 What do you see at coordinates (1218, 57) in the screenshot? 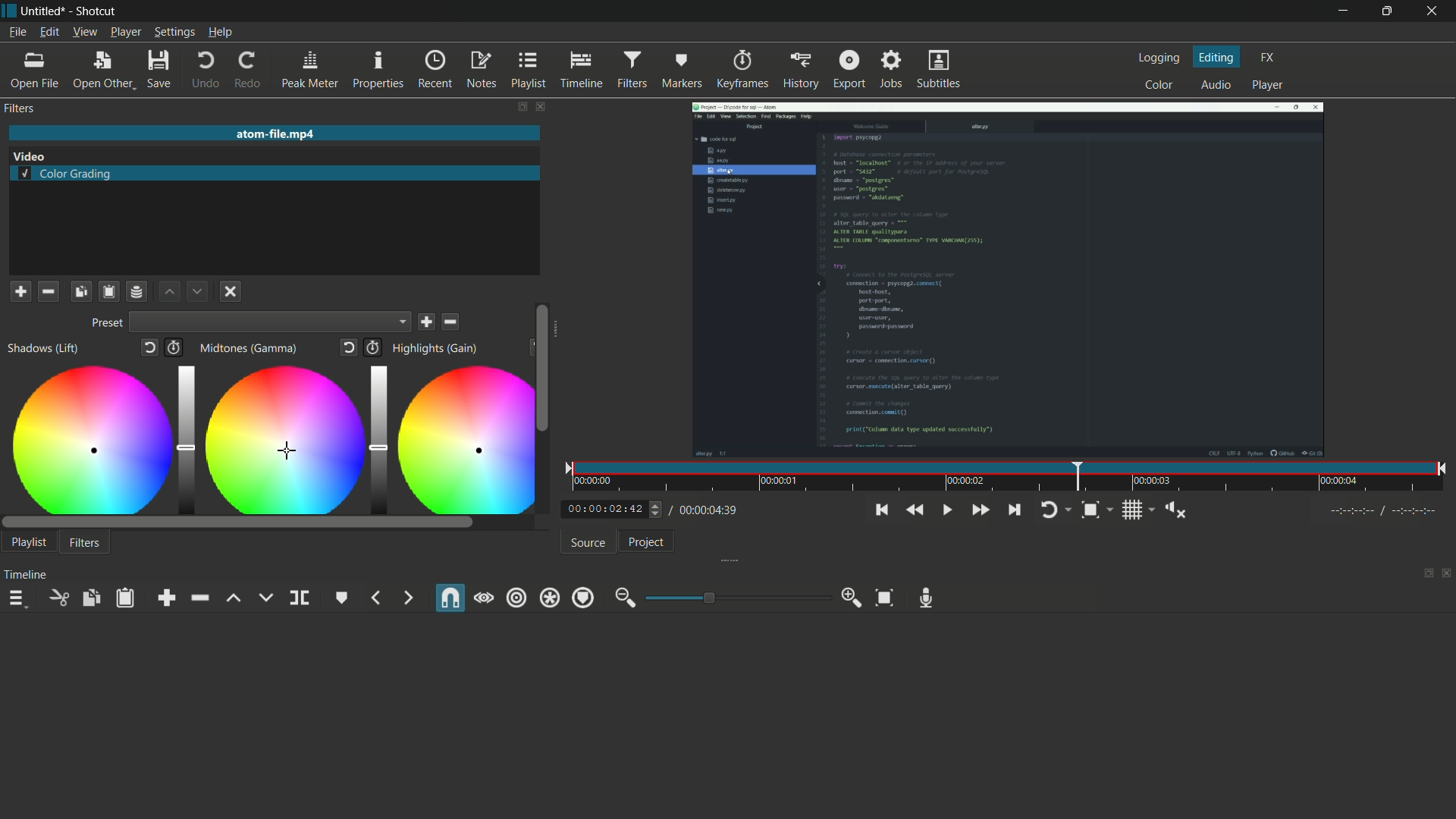
I see `editing` at bounding box center [1218, 57].